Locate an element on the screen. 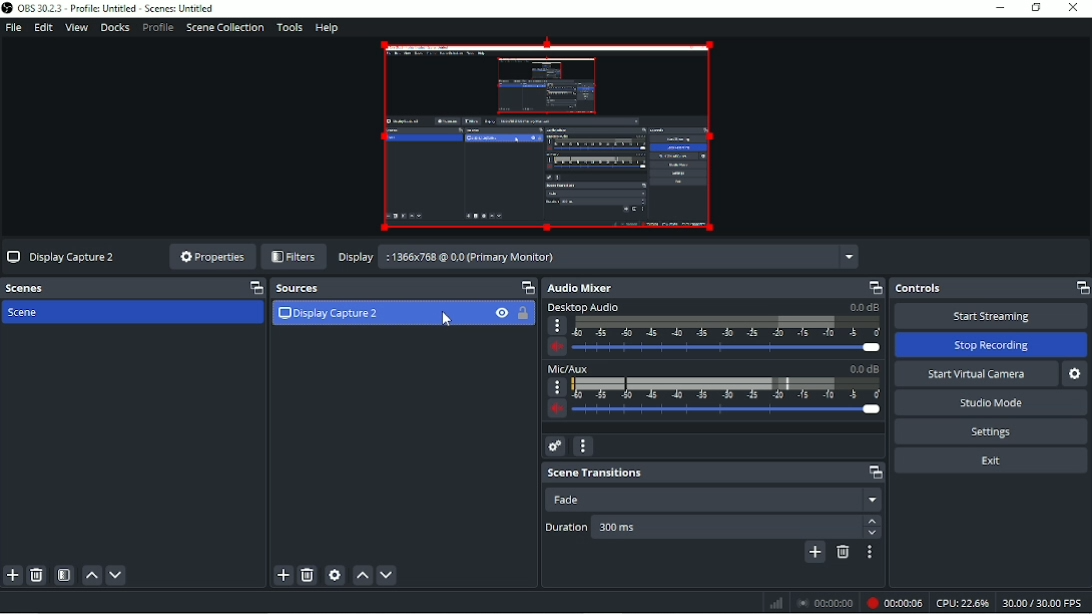 The width and height of the screenshot is (1092, 614). Display is located at coordinates (356, 257).